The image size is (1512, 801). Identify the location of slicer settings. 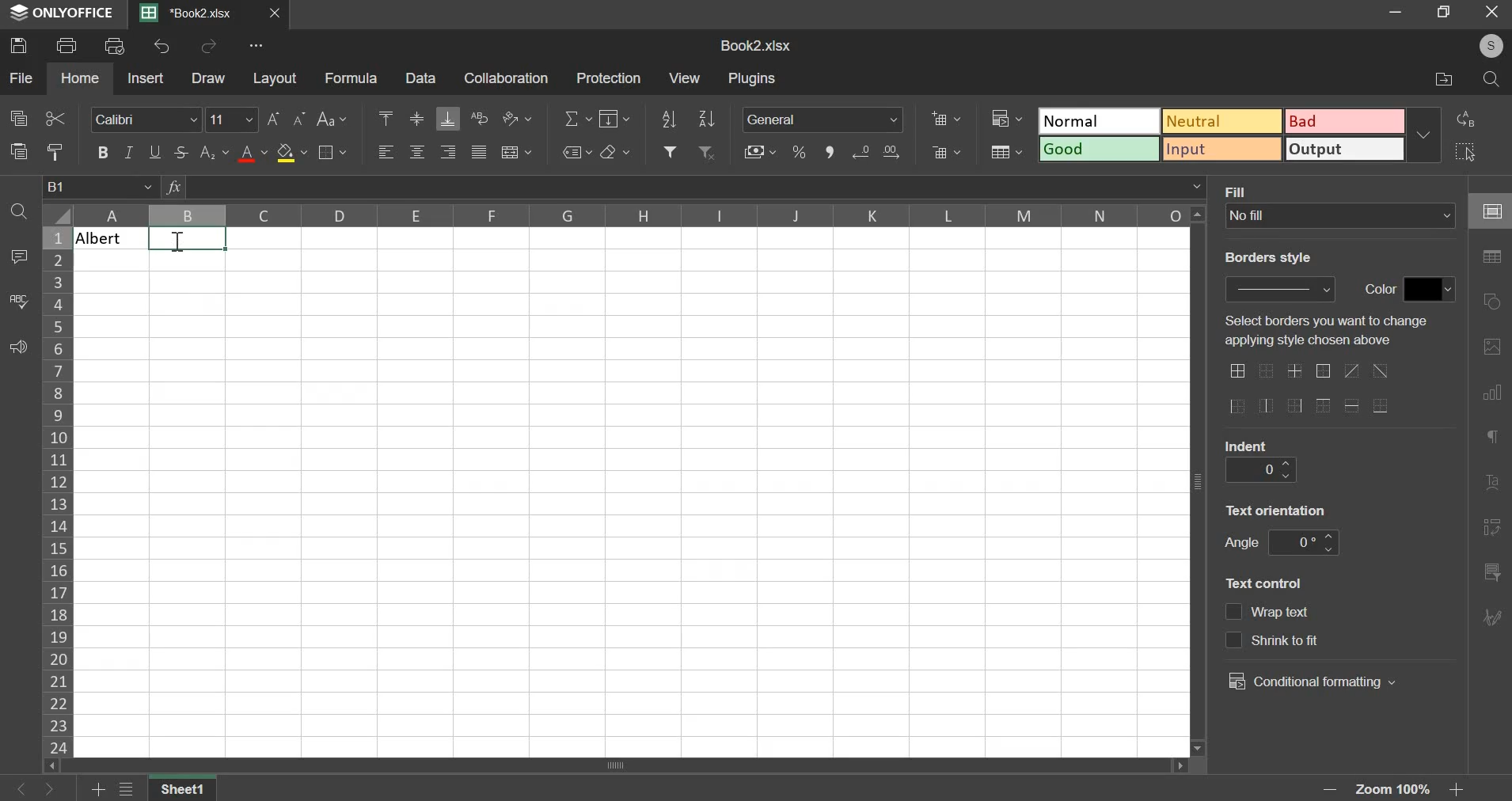
(1493, 570).